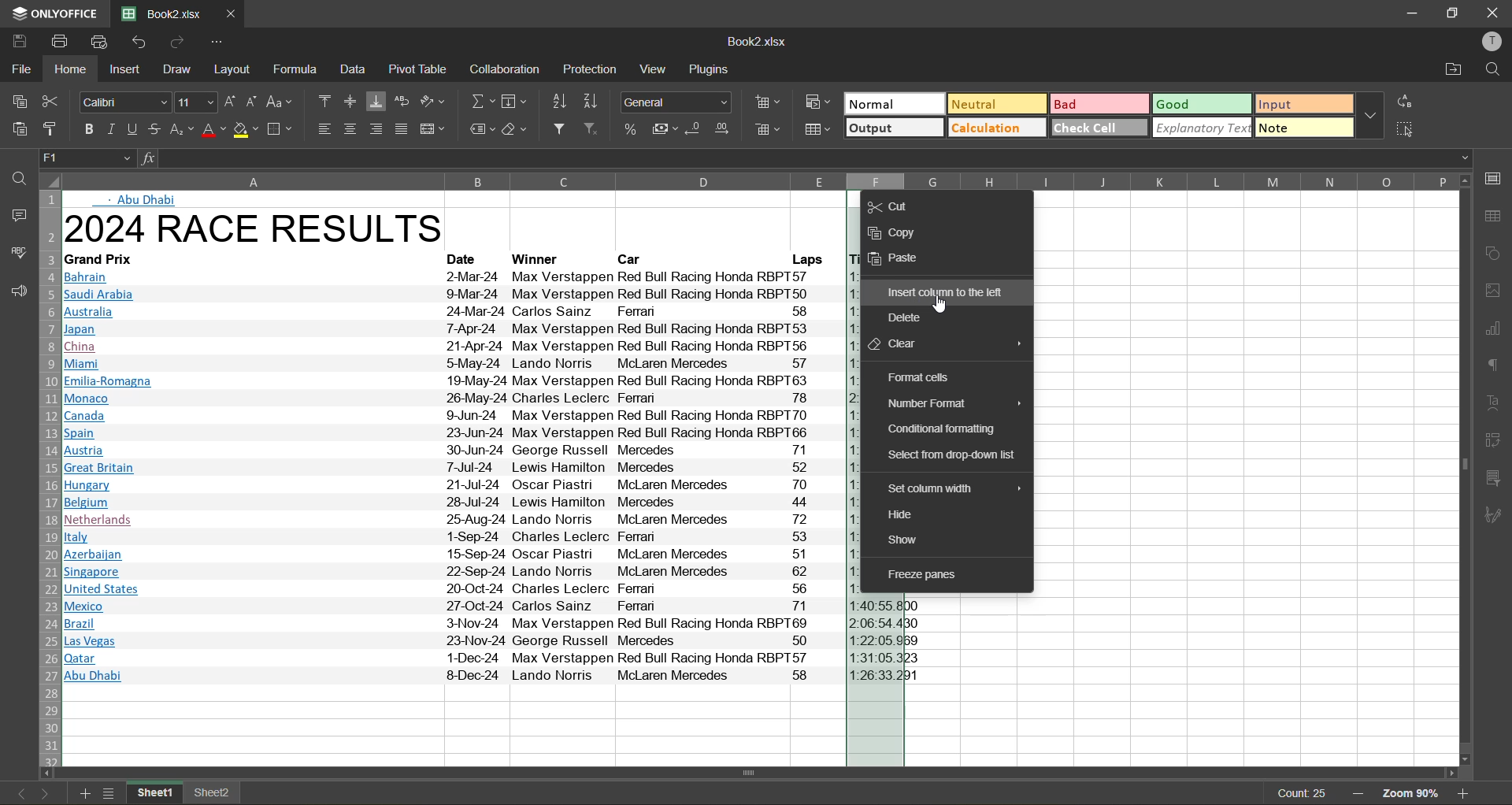 The width and height of the screenshot is (1512, 805). Describe the element at coordinates (213, 129) in the screenshot. I see `font color` at that location.